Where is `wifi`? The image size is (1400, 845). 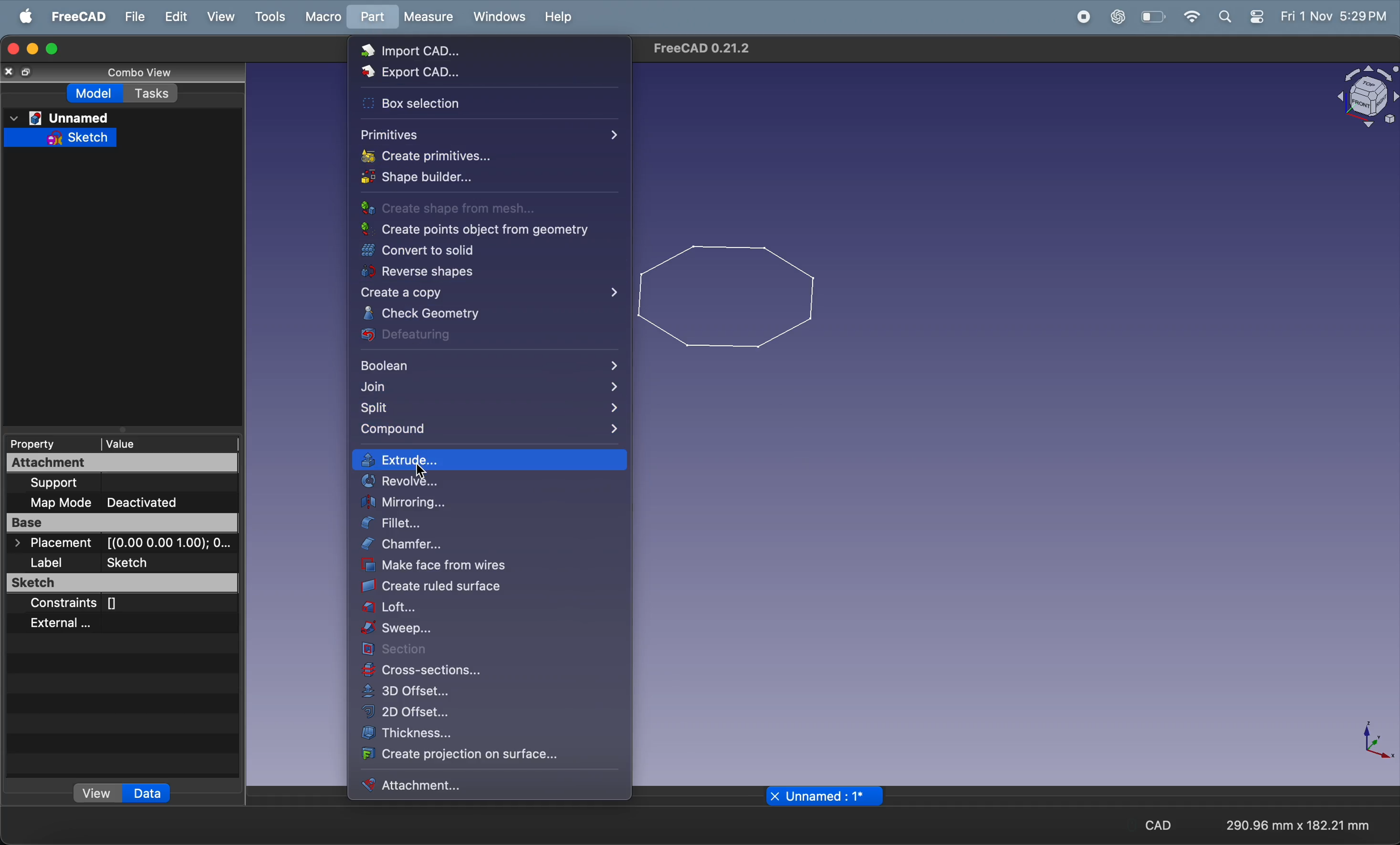 wifi is located at coordinates (1186, 19).